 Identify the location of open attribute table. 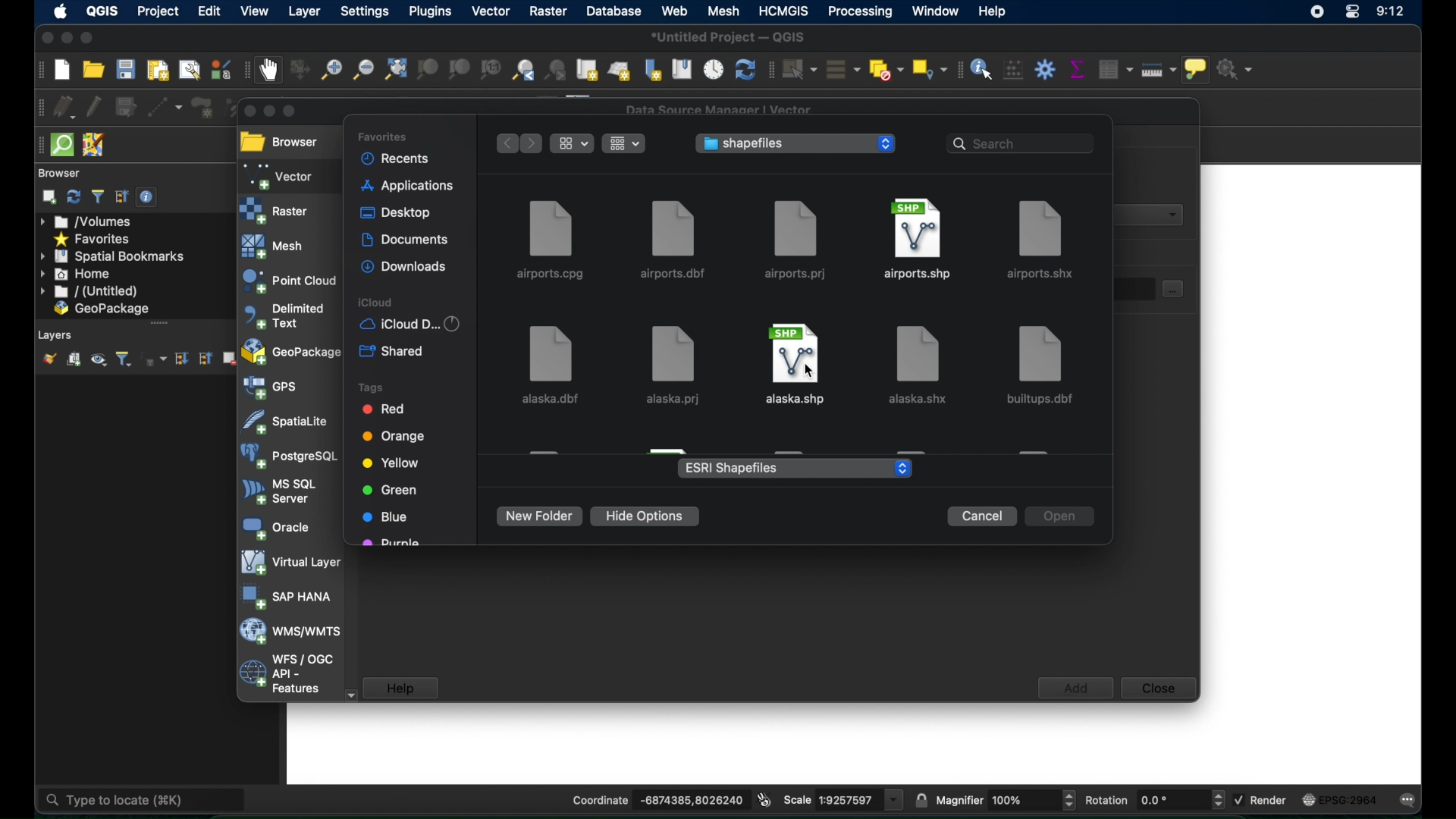
(1117, 69).